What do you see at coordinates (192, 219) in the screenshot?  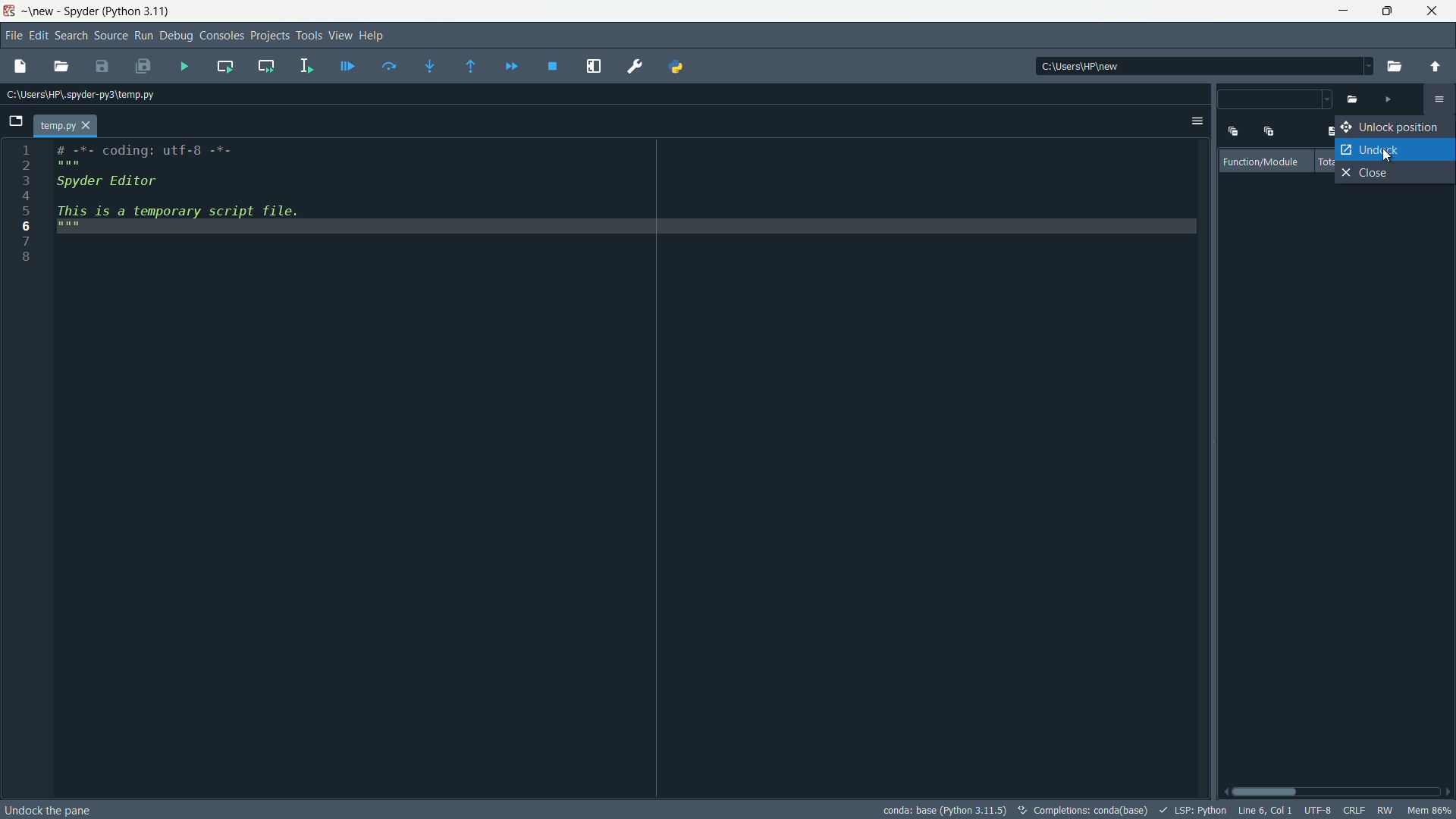 I see `This is a temporary script file.` at bounding box center [192, 219].